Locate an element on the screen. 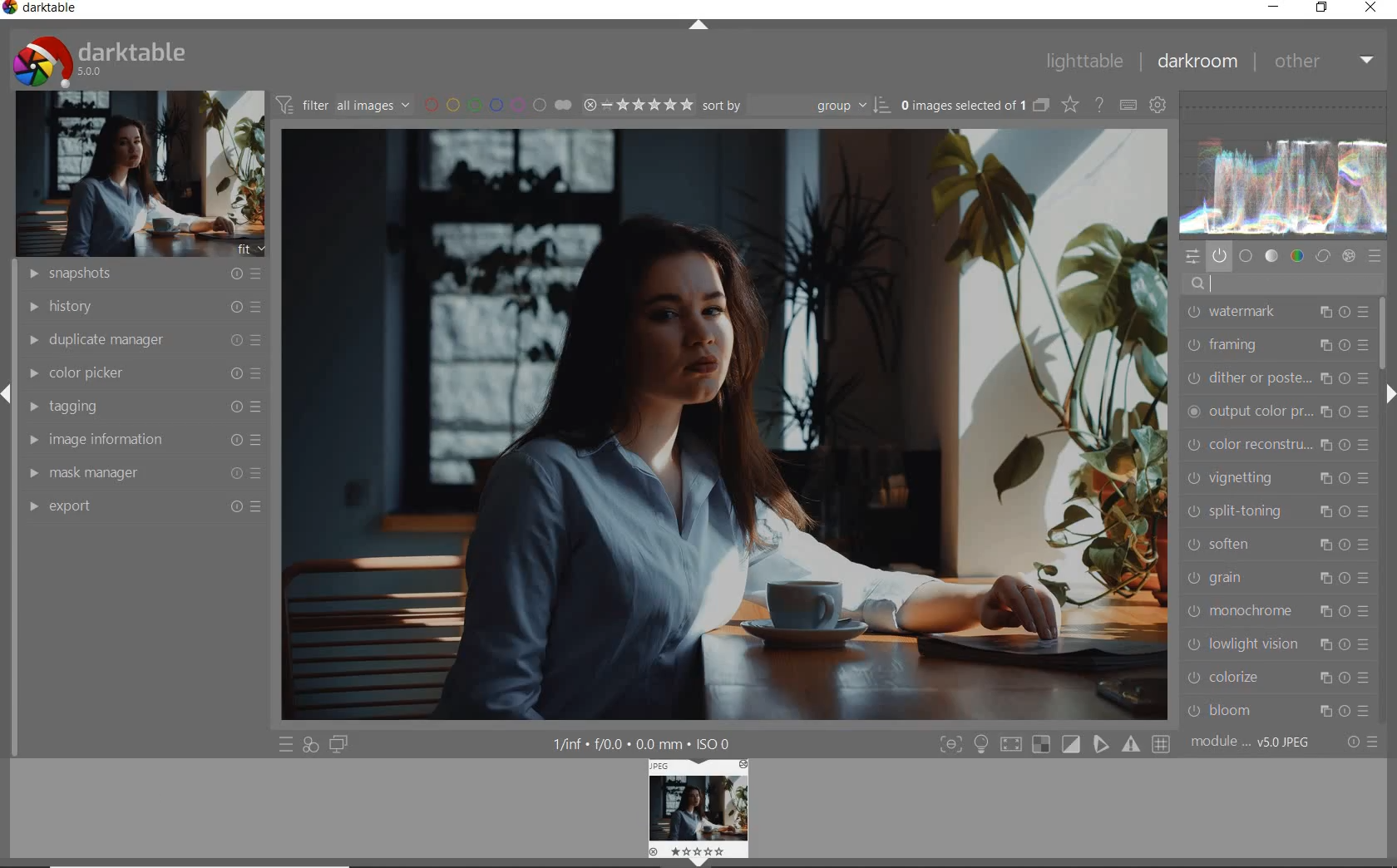 This screenshot has width=1397, height=868. monochrome is located at coordinates (1276, 611).